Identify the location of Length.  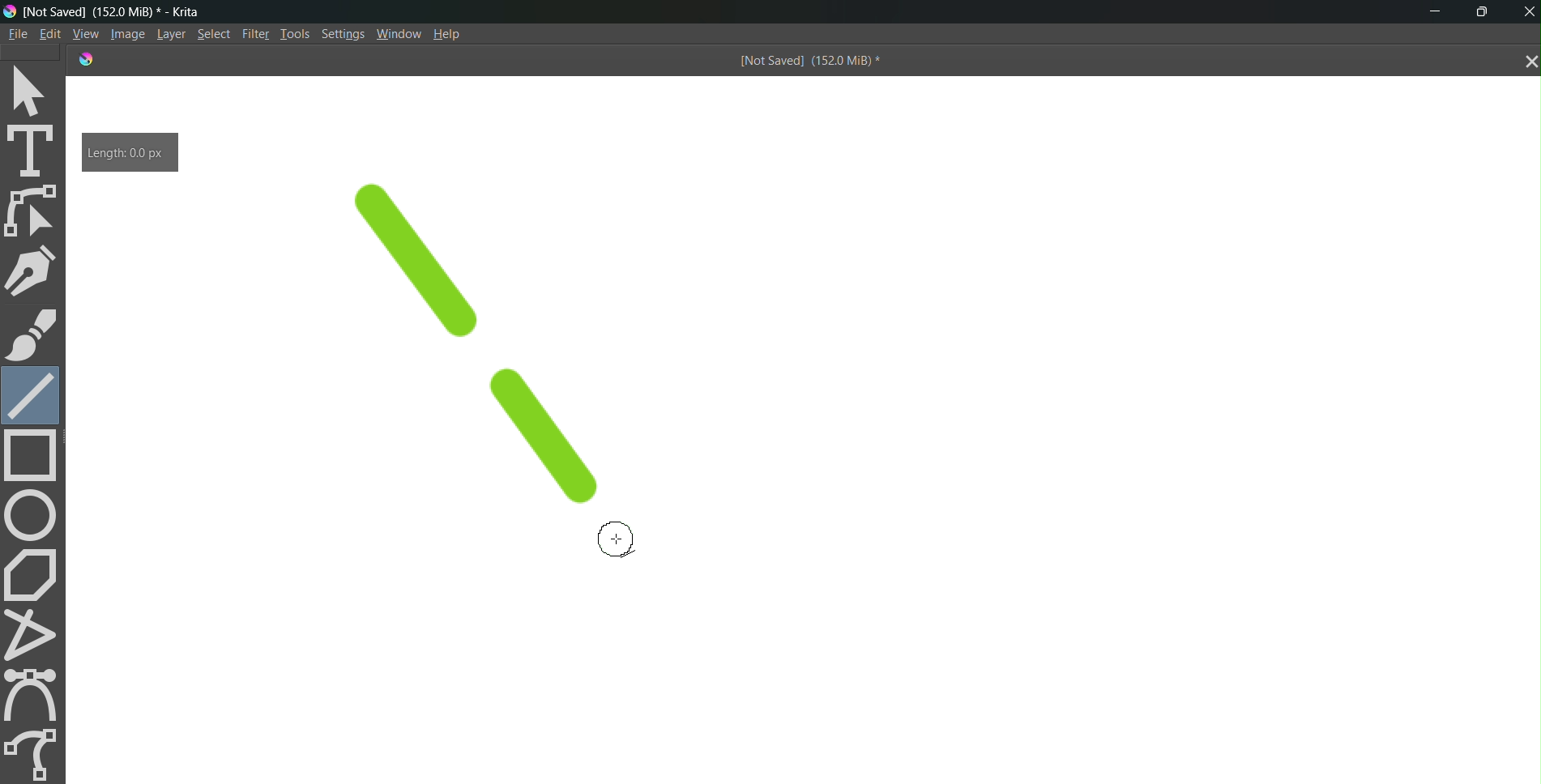
(142, 153).